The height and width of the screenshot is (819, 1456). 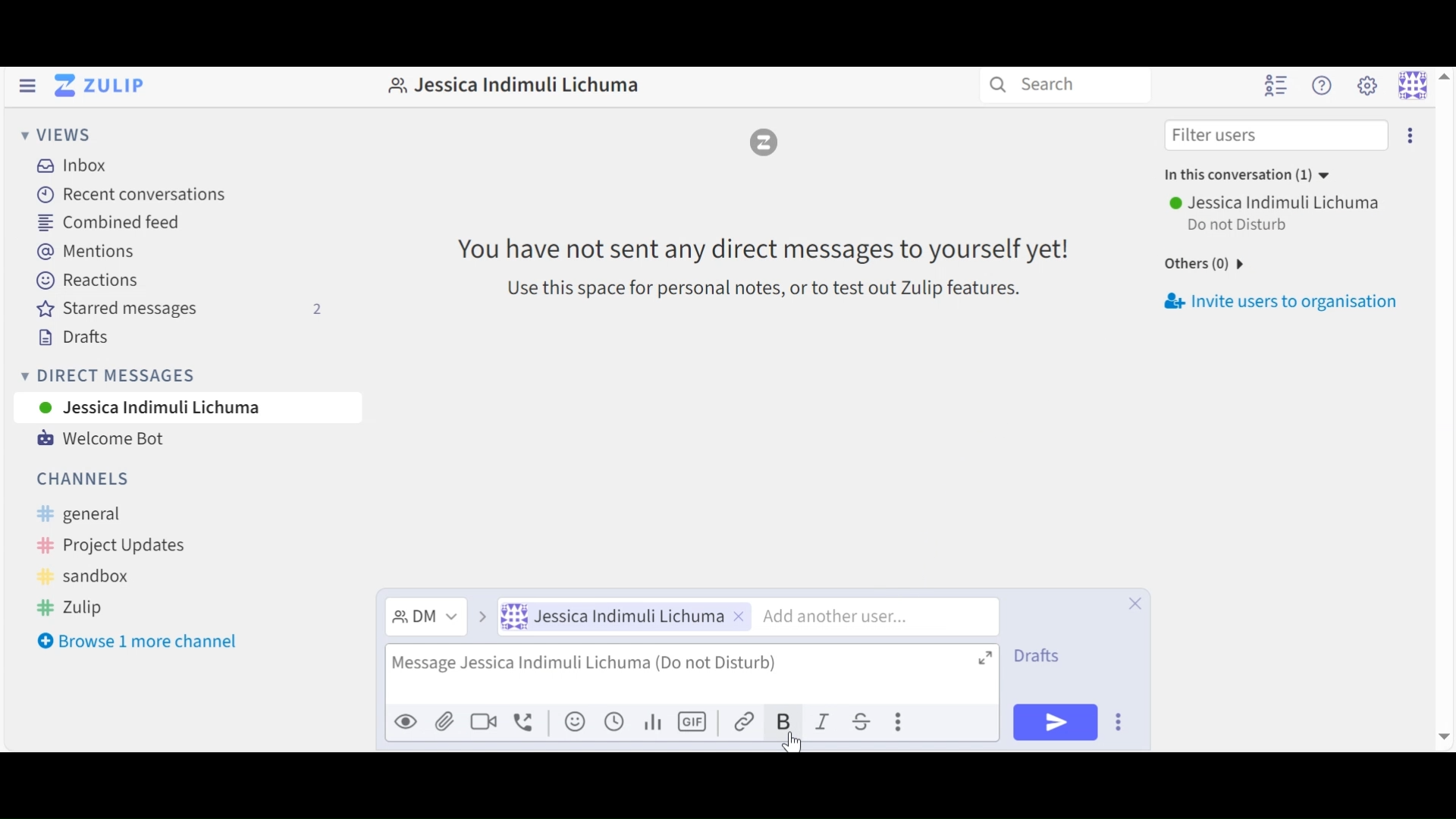 I want to click on Direct messages, so click(x=110, y=378).